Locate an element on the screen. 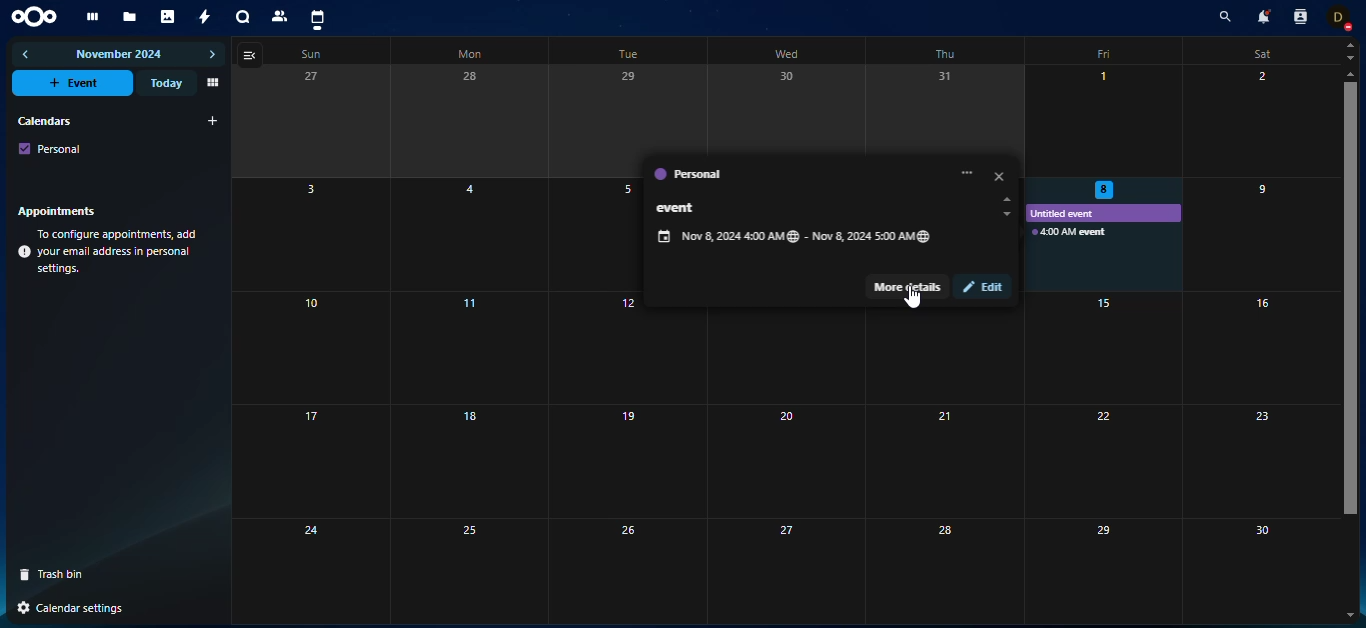  tue is located at coordinates (624, 55).